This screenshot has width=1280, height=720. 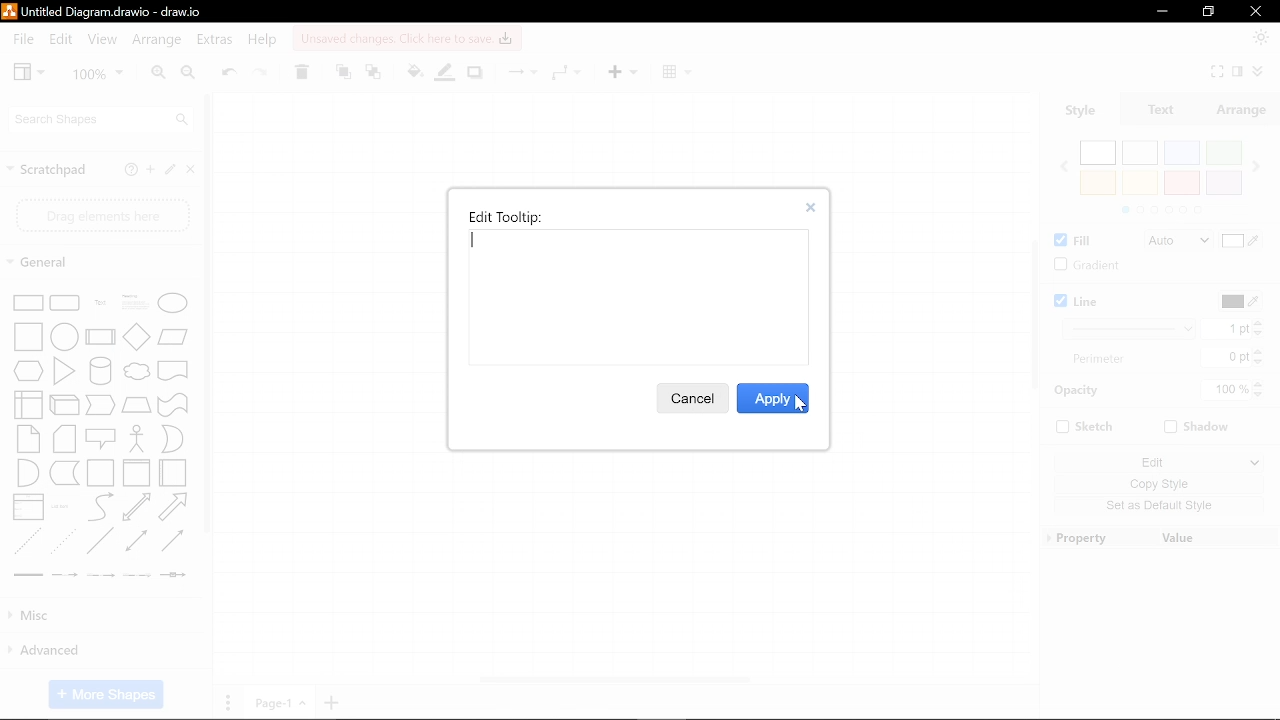 What do you see at coordinates (693, 398) in the screenshot?
I see `Cancel` at bounding box center [693, 398].